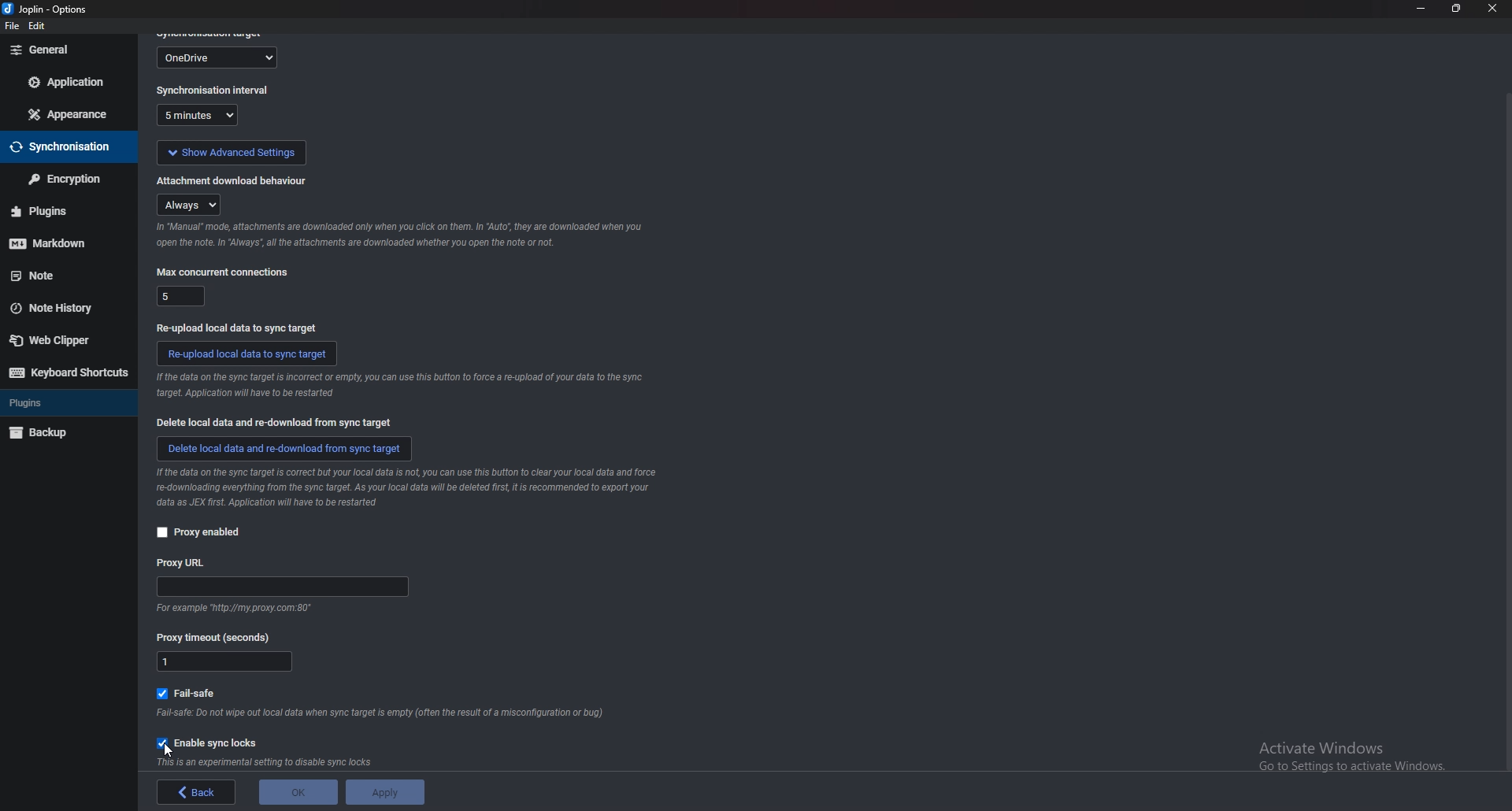 The image size is (1512, 811). What do you see at coordinates (1506, 433) in the screenshot?
I see `scroll bar` at bounding box center [1506, 433].